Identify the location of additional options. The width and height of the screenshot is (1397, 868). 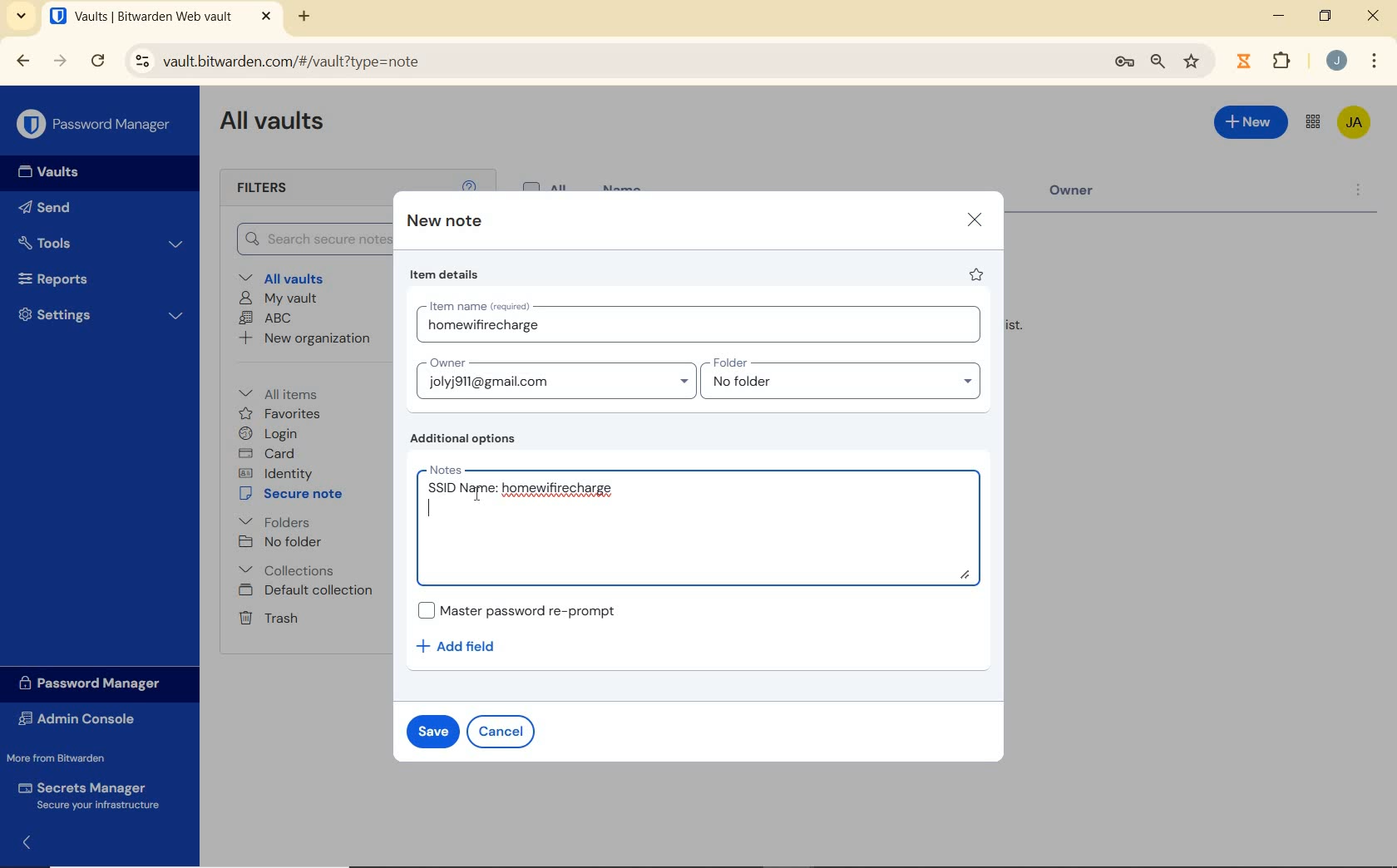
(468, 439).